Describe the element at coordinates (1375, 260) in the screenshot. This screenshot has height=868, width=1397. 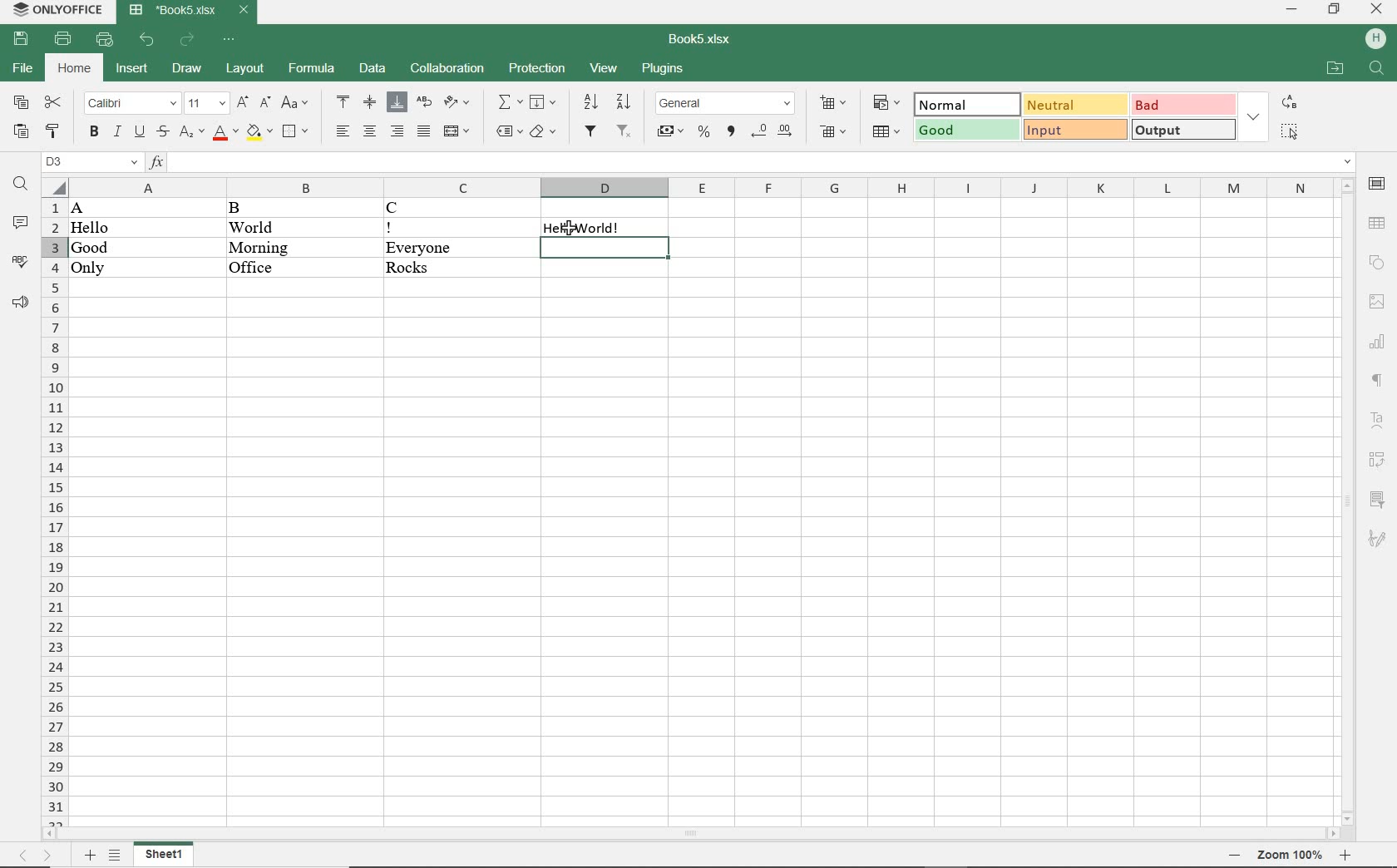
I see `SHAPE` at that location.